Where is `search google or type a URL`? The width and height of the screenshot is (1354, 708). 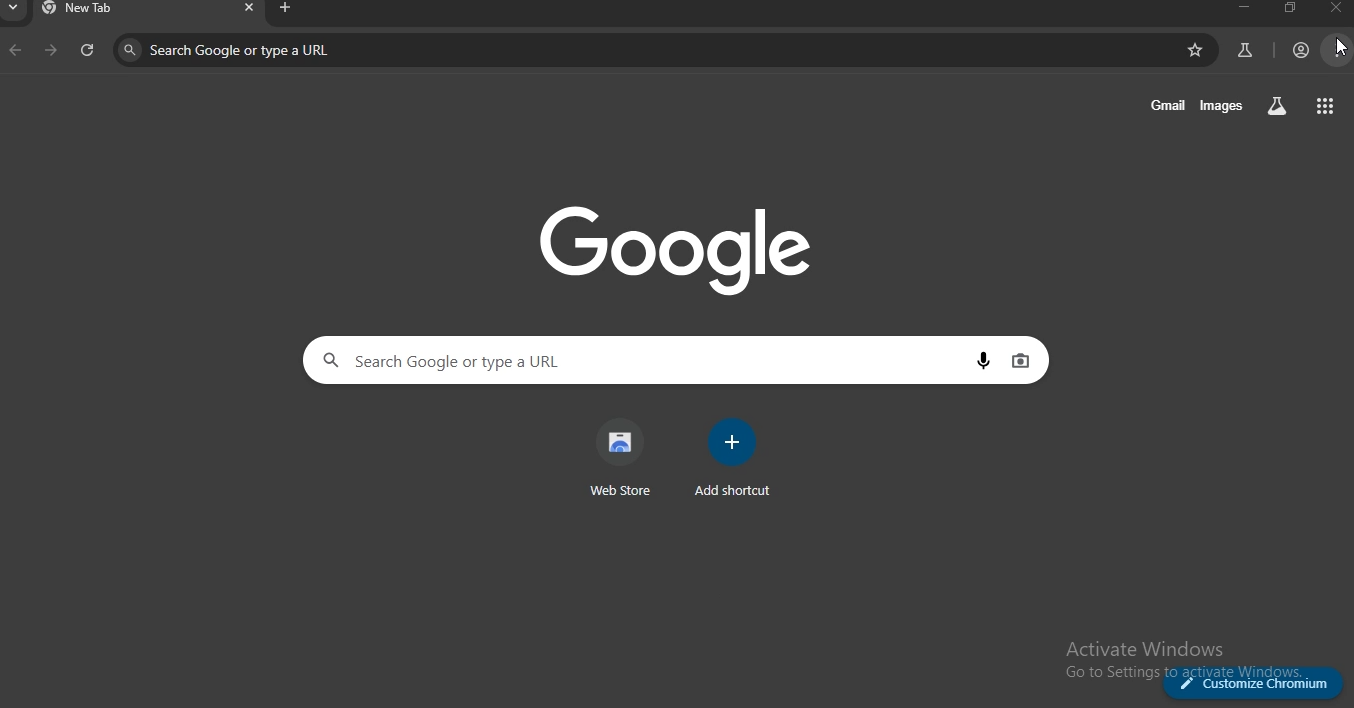 search google or type a URL is located at coordinates (611, 360).